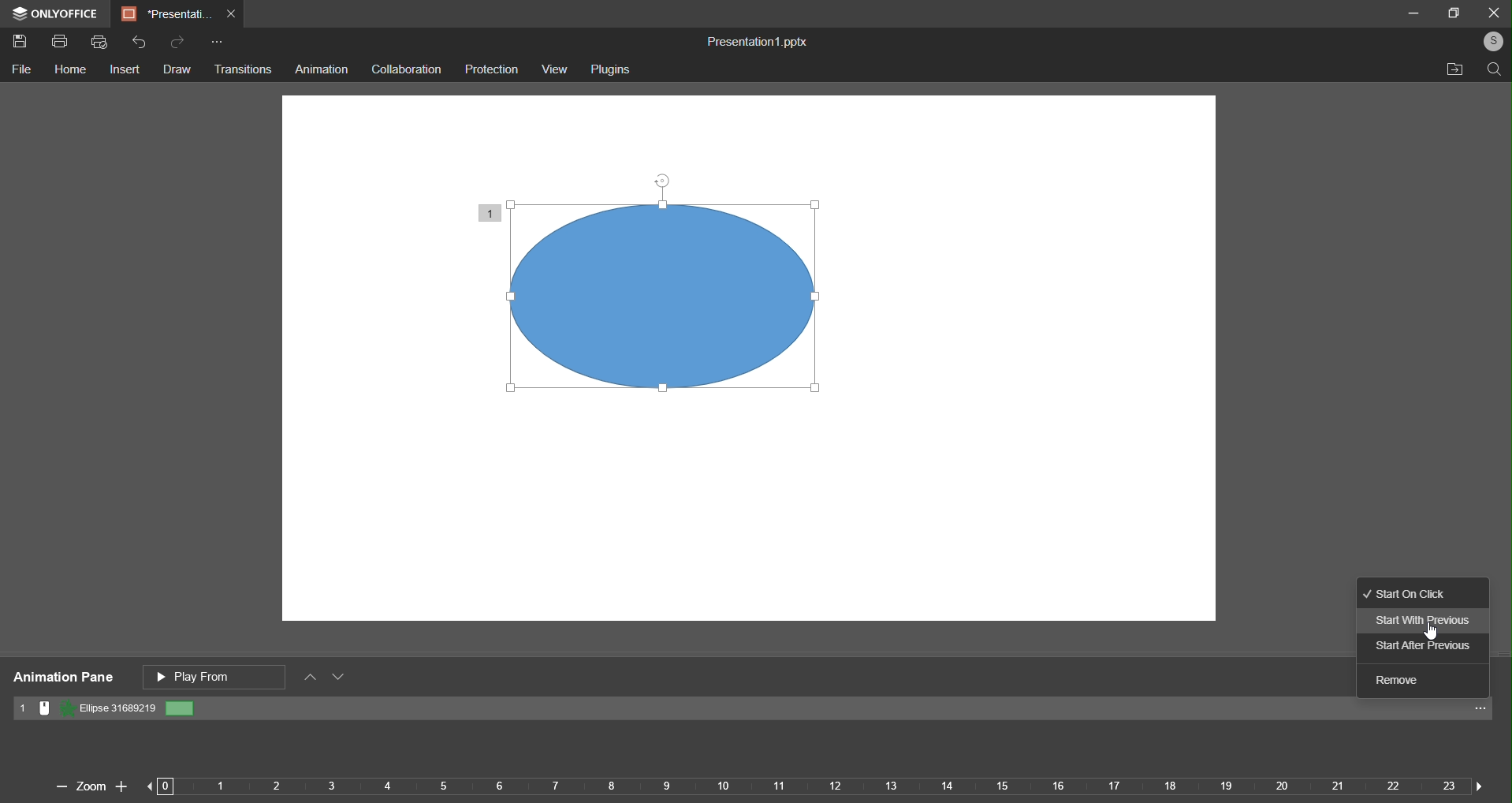 This screenshot has height=803, width=1512. Describe the element at coordinates (1406, 682) in the screenshot. I see `Remove` at that location.